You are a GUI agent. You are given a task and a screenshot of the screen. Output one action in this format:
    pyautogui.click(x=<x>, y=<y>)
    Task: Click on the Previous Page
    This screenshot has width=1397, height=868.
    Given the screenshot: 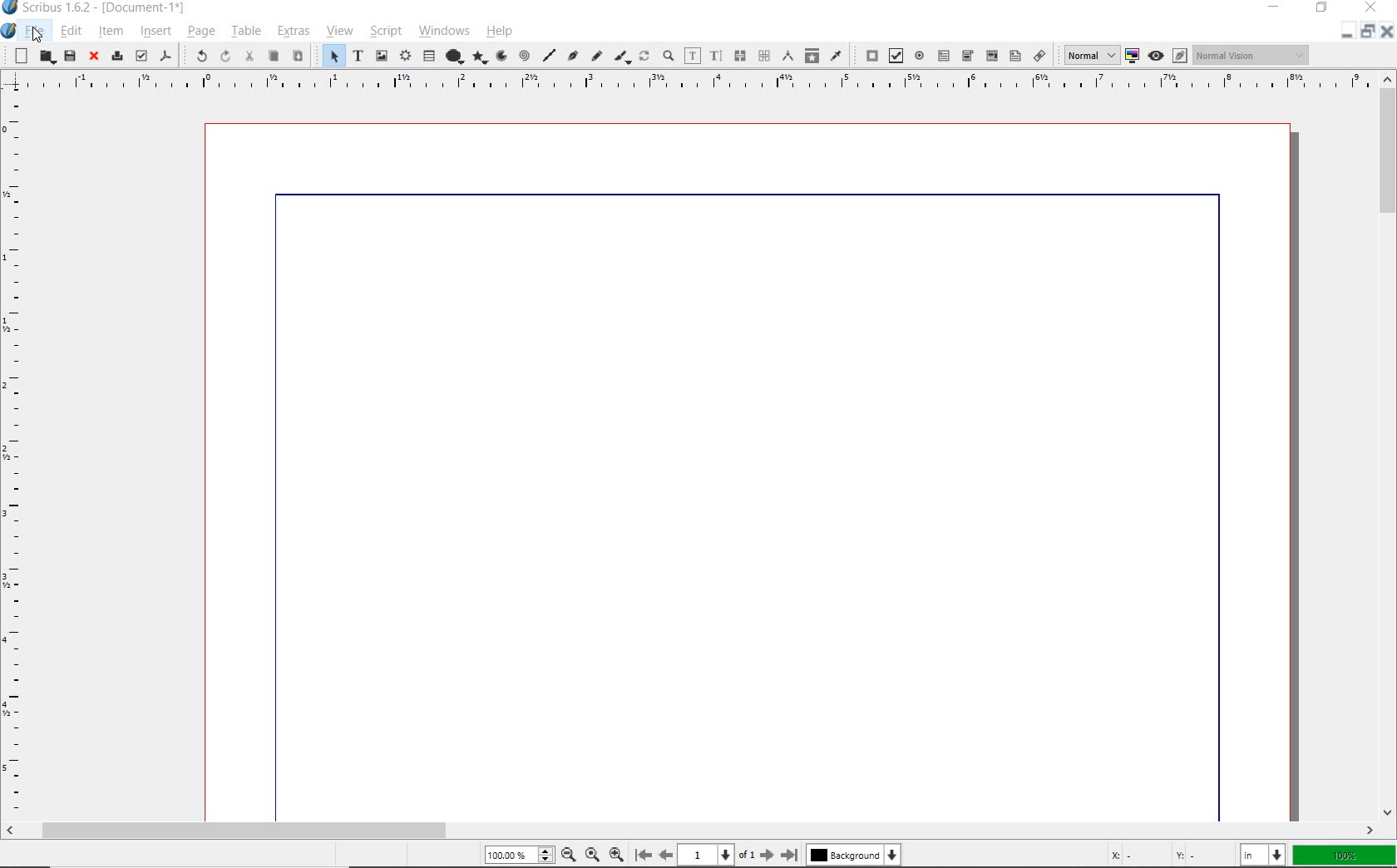 What is the action you would take?
    pyautogui.click(x=664, y=855)
    